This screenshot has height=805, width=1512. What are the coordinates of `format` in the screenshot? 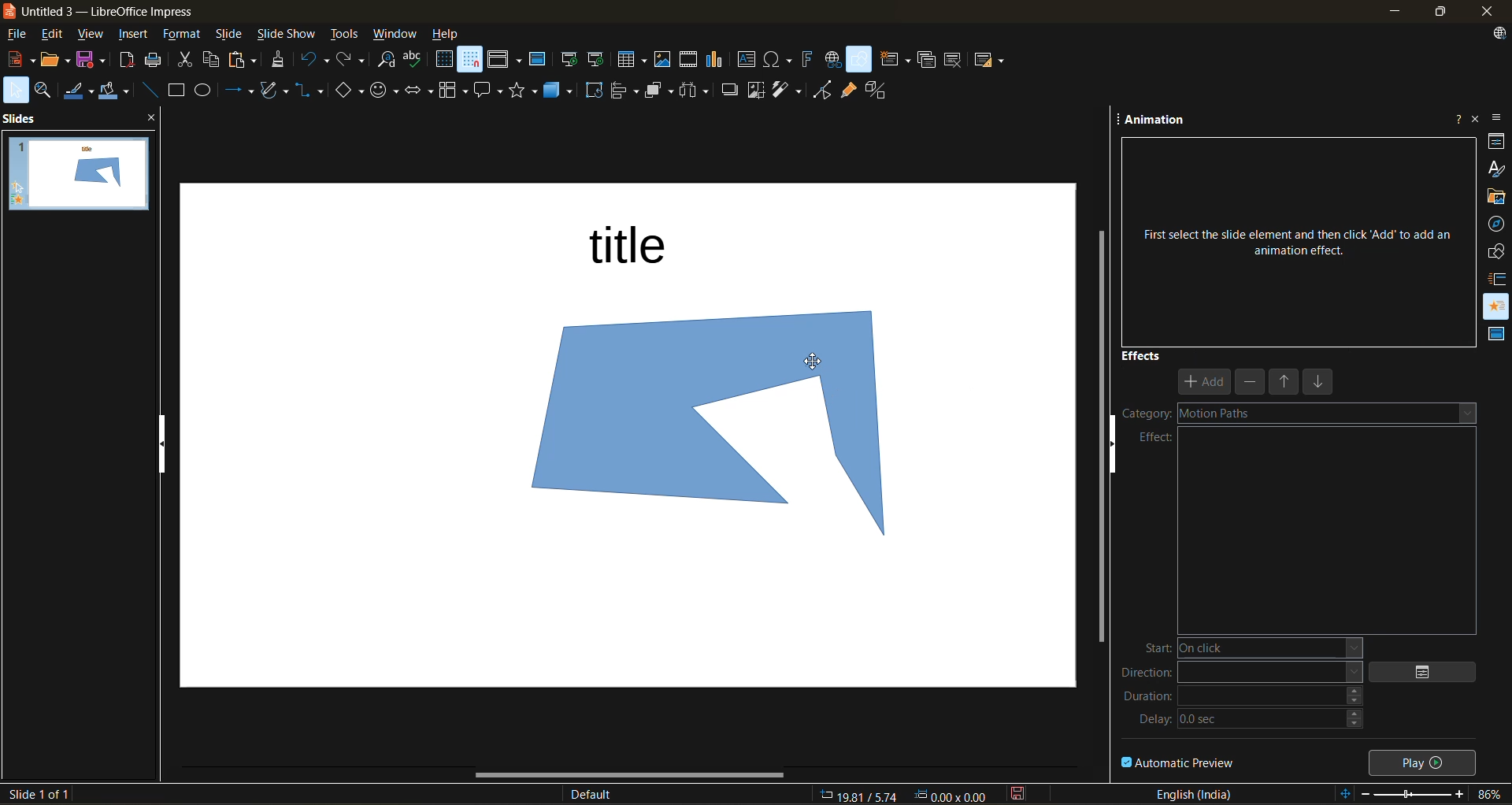 It's located at (180, 35).